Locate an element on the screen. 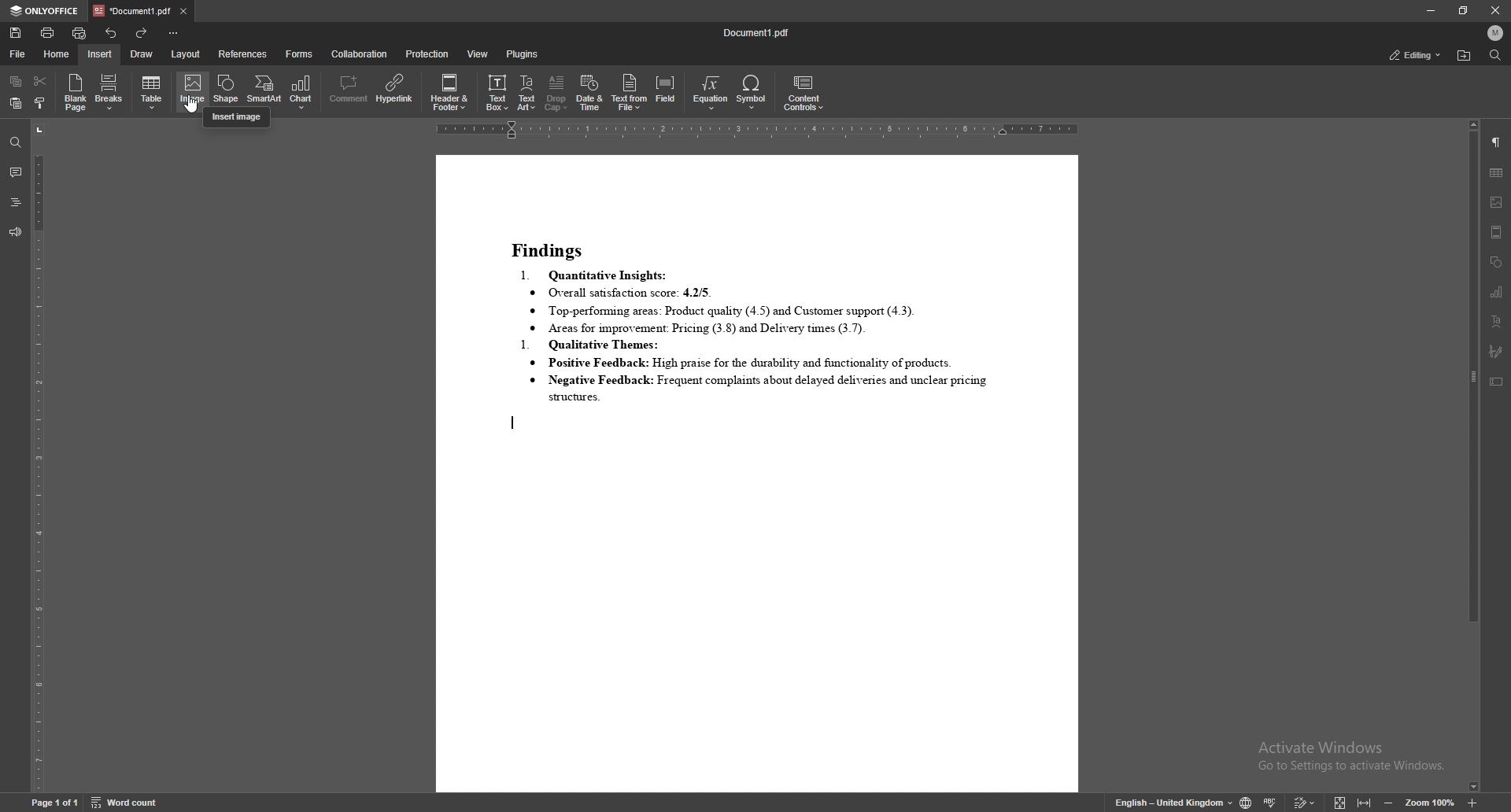  header and footer is located at coordinates (450, 93).